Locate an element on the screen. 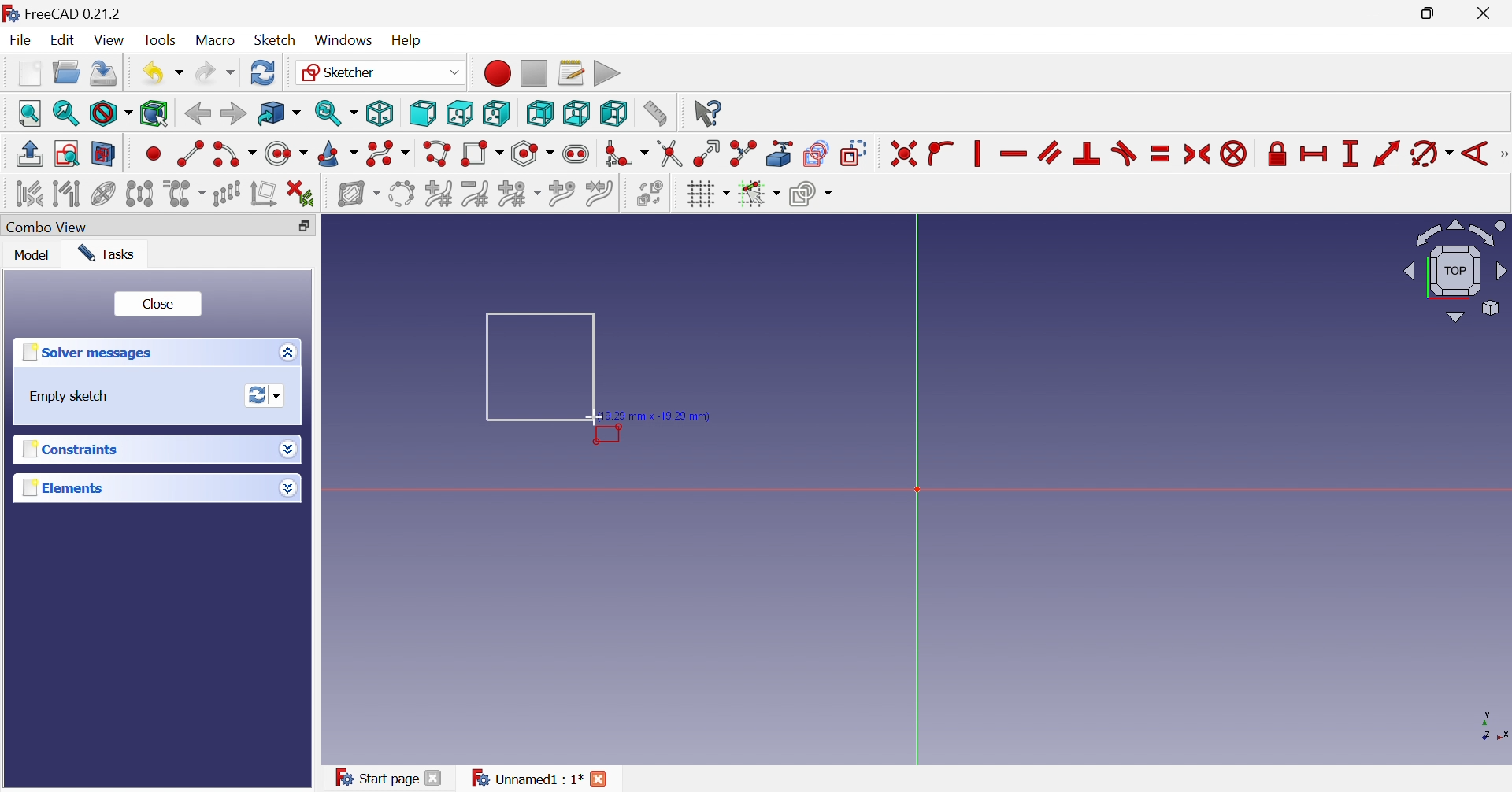 The image size is (1512, 792). Tasks is located at coordinates (108, 254).